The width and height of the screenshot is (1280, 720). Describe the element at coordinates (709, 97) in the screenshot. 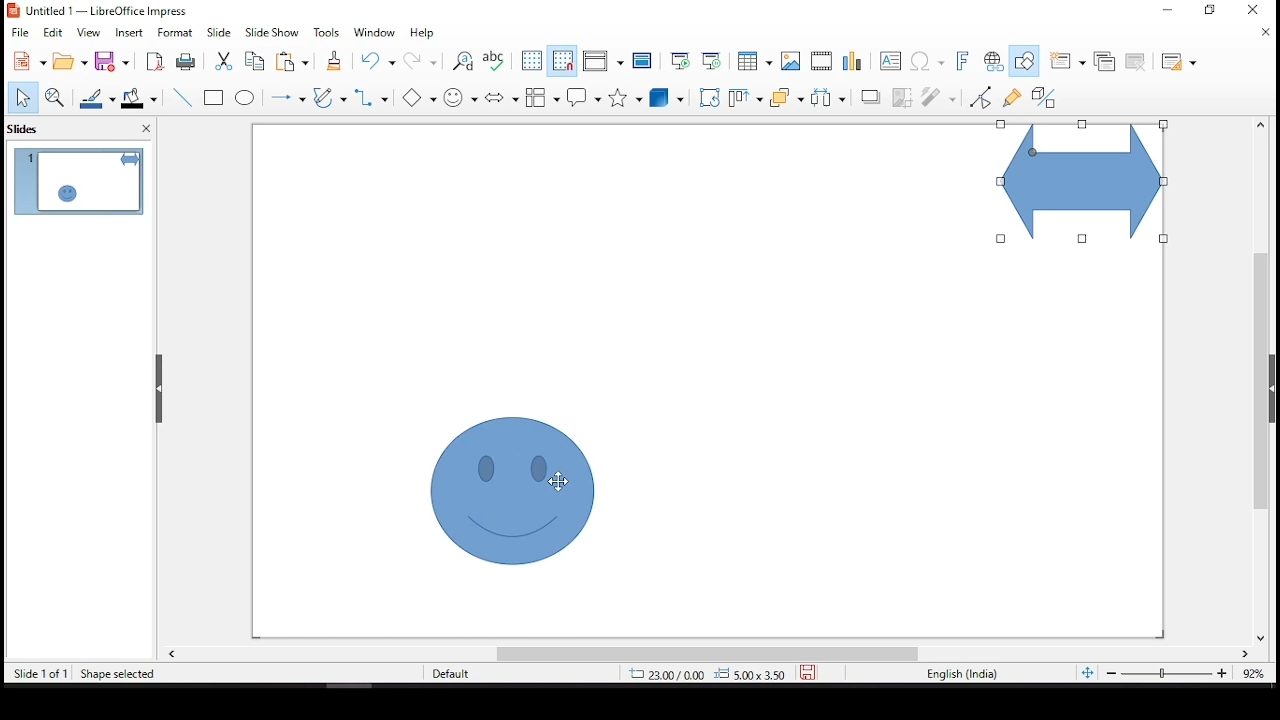

I see `rotate` at that location.